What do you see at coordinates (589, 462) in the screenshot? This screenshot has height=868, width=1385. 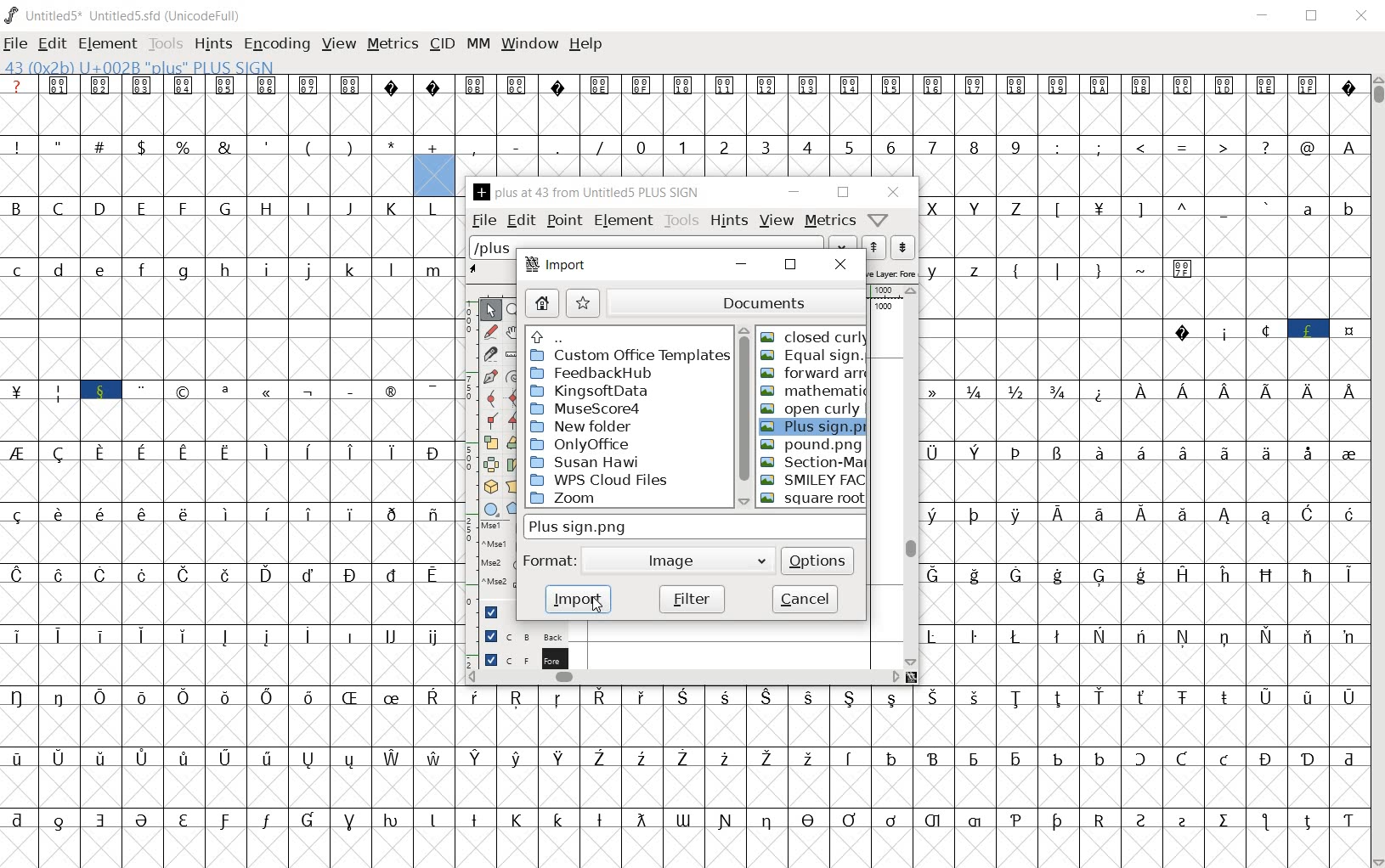 I see `Susan Hawi` at bounding box center [589, 462].